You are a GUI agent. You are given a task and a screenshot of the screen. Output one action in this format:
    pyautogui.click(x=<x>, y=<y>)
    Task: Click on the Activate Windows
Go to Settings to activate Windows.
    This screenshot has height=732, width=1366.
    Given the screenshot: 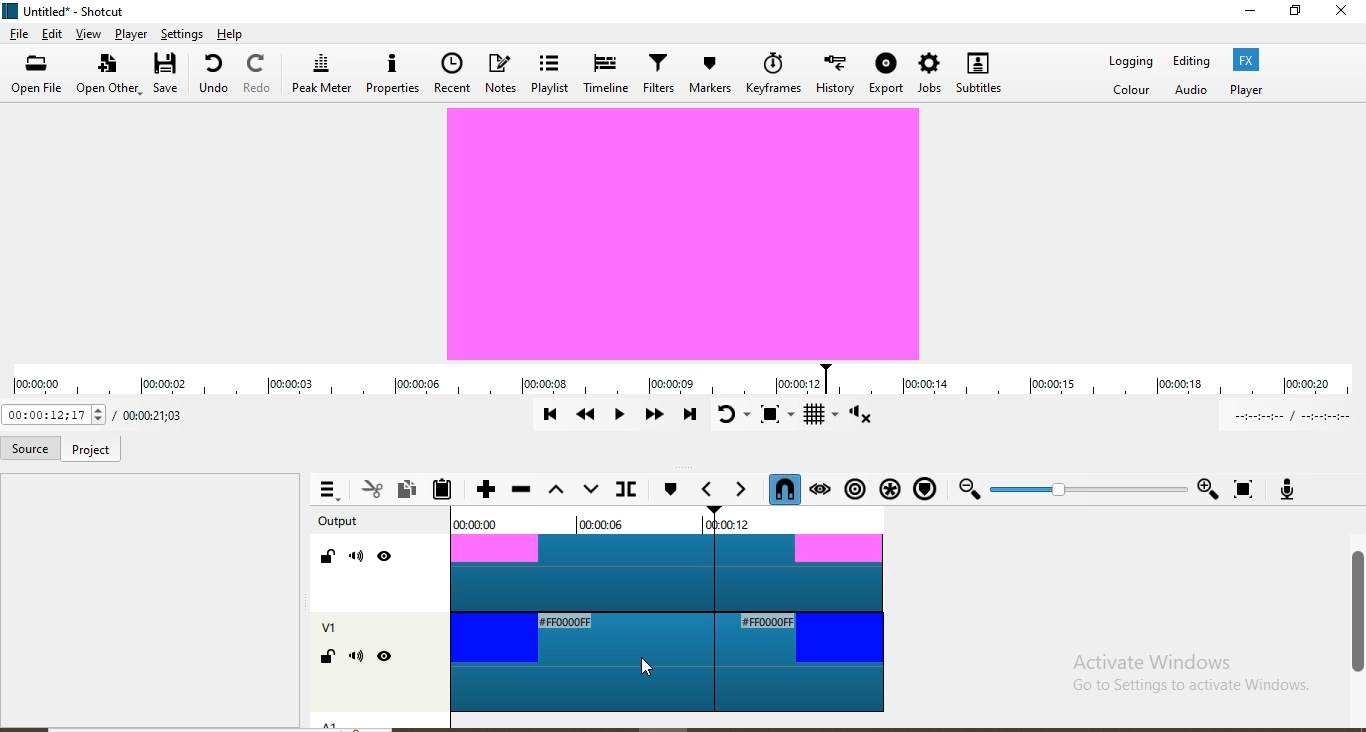 What is the action you would take?
    pyautogui.click(x=1197, y=671)
    